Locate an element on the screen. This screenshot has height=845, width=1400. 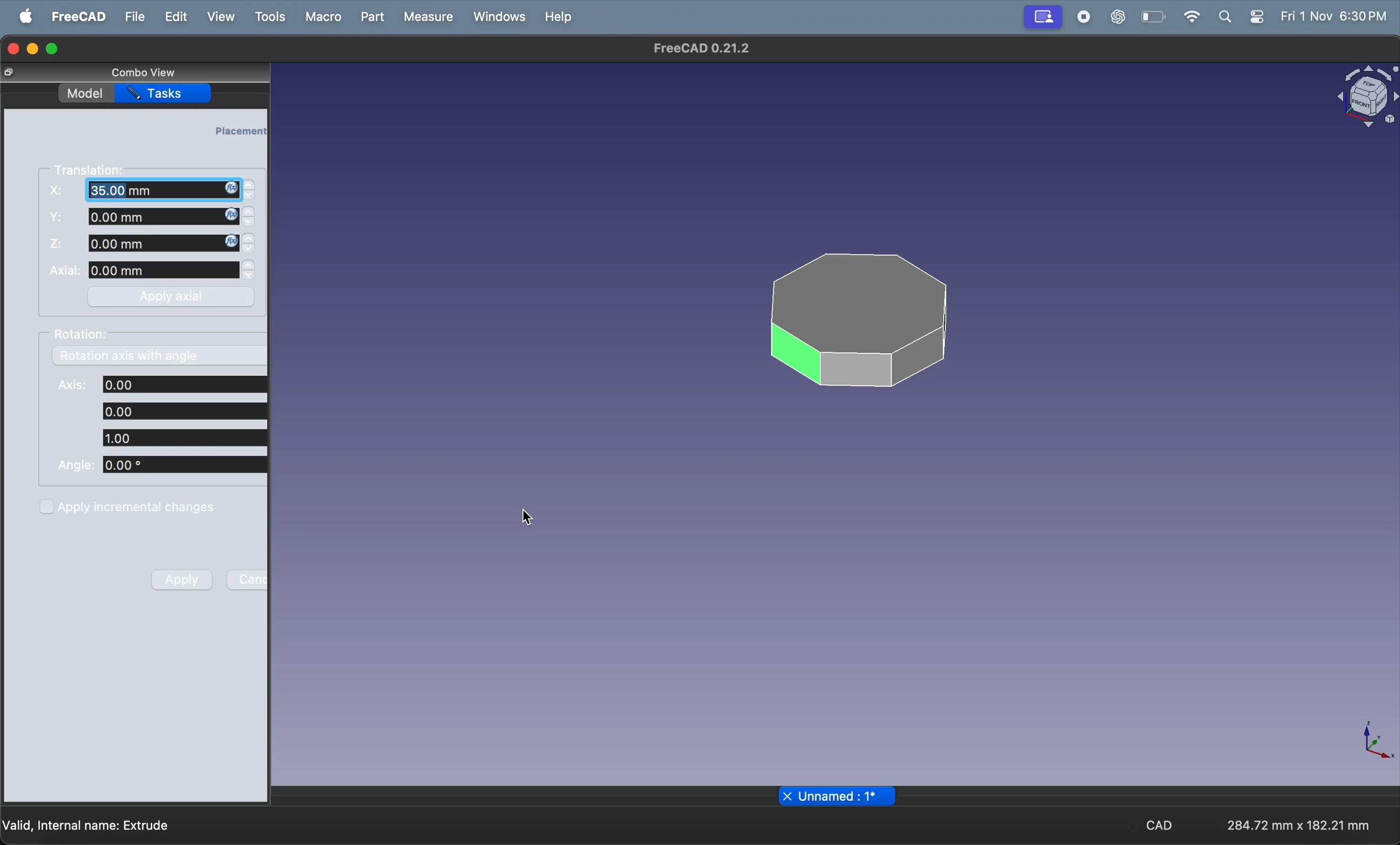
Axial: 0.00 mm is located at coordinates (143, 271).